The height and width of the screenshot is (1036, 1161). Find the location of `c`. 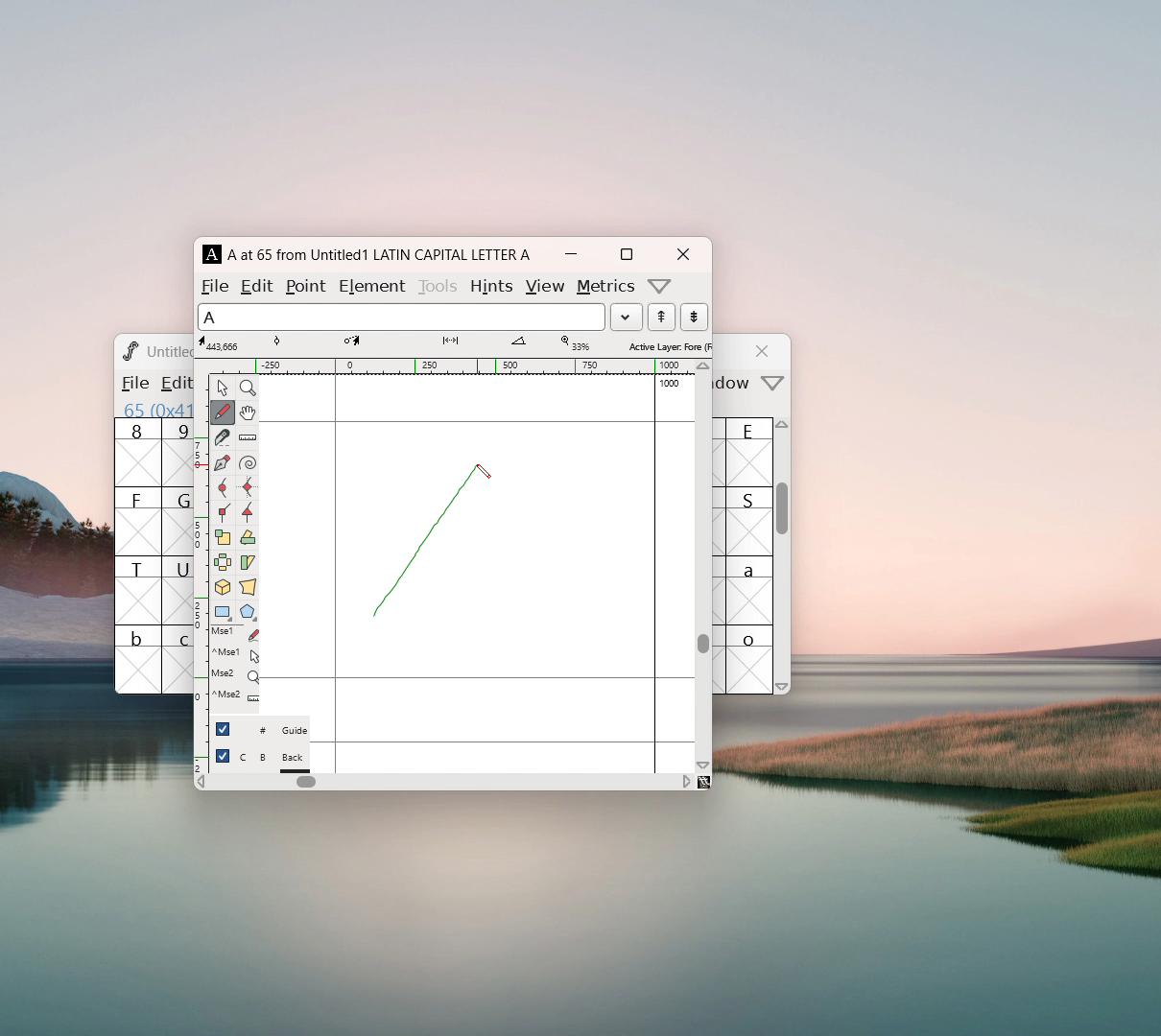

c is located at coordinates (178, 660).